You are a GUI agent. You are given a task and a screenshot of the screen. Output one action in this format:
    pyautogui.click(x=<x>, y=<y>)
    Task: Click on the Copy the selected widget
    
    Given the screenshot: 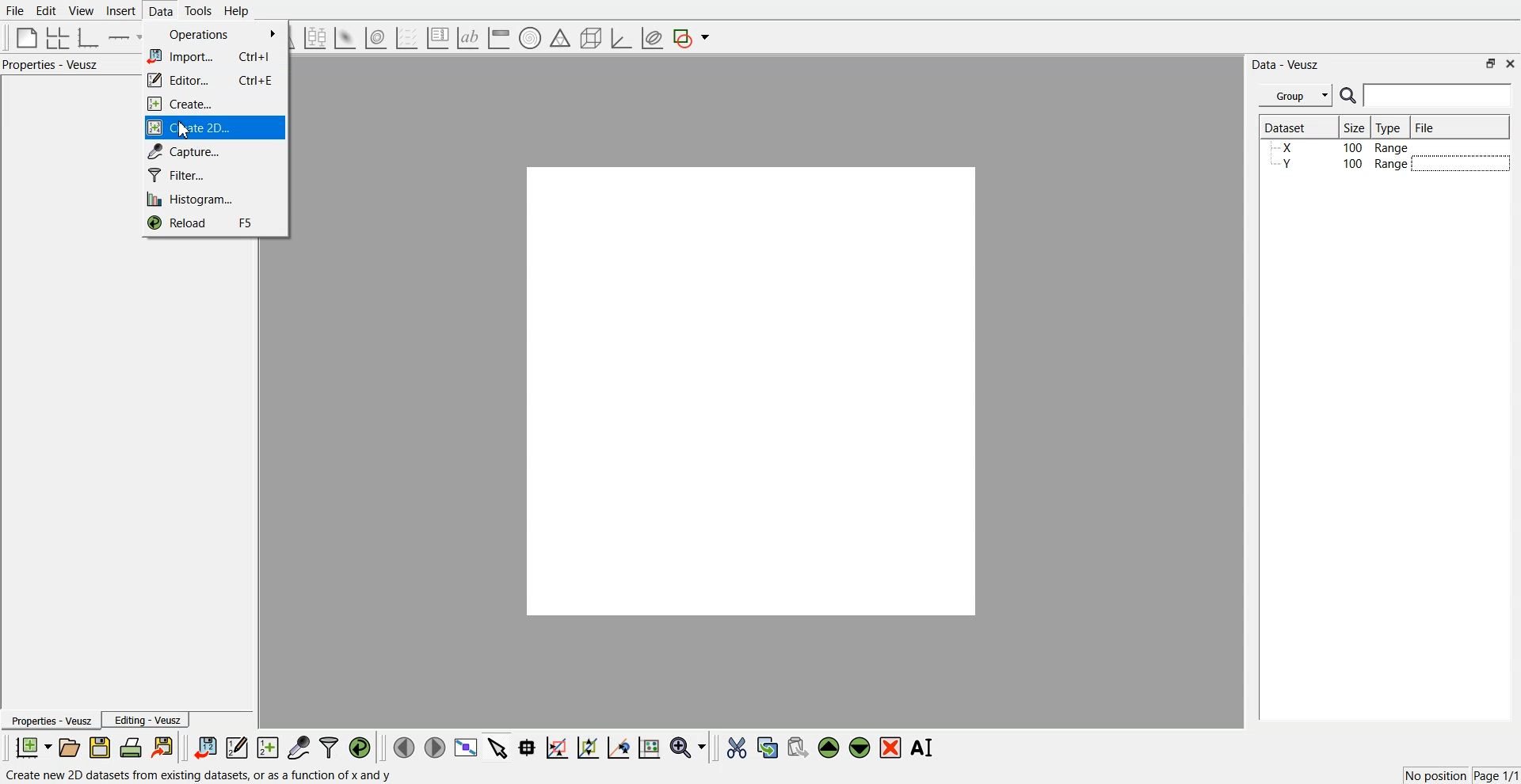 What is the action you would take?
    pyautogui.click(x=768, y=747)
    